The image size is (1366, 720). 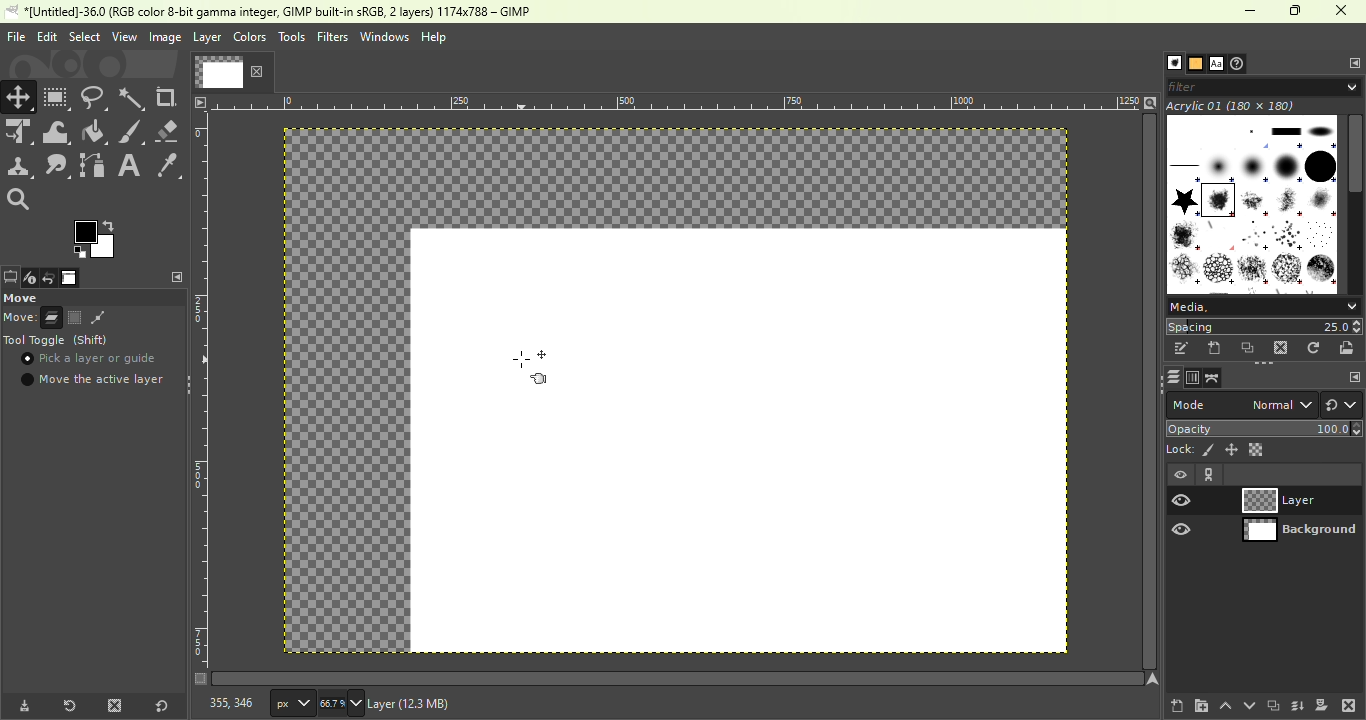 What do you see at coordinates (60, 166) in the screenshot?
I see `Smudge tool` at bounding box center [60, 166].